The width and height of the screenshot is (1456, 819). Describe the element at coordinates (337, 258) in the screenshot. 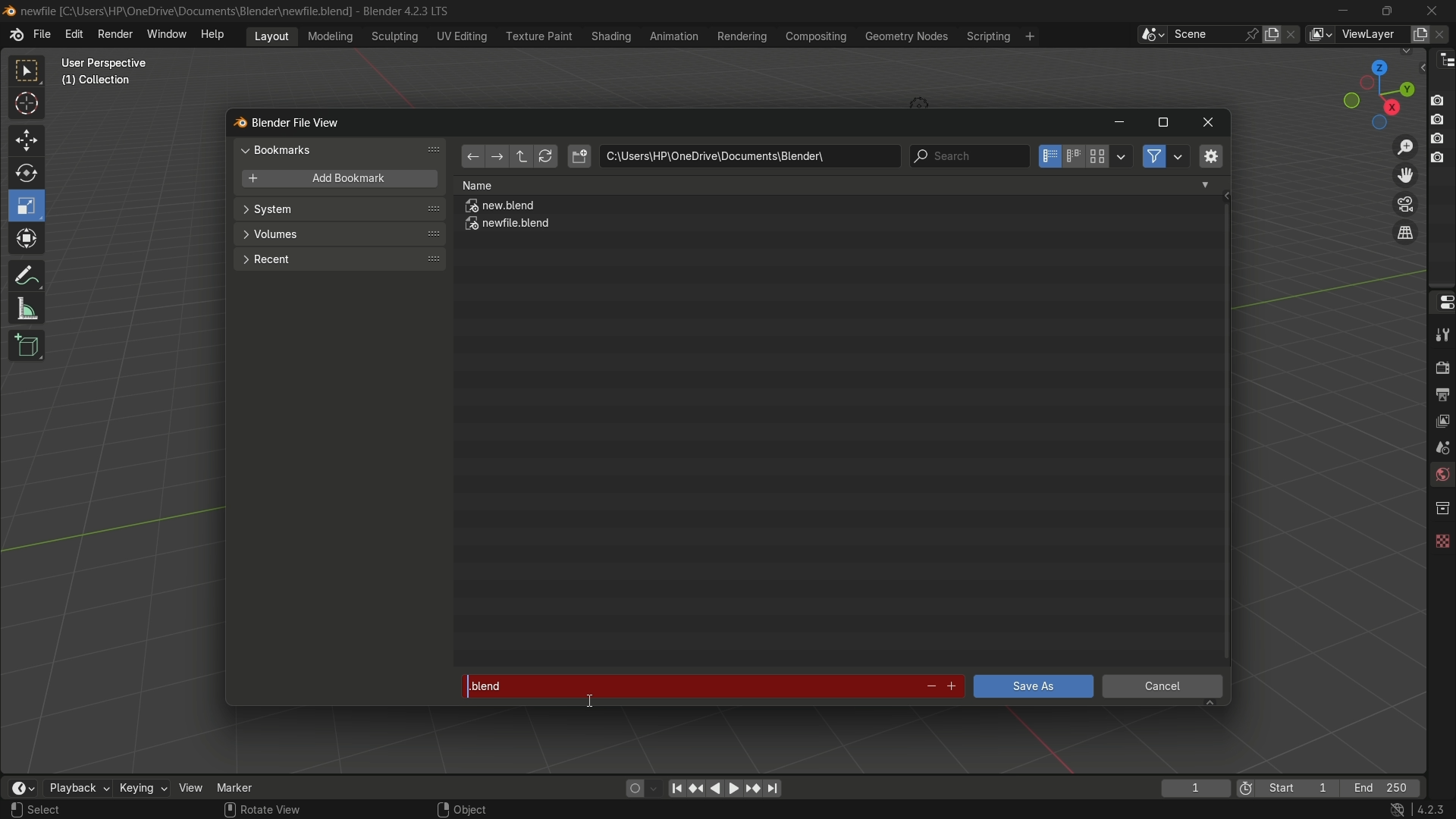

I see `recent` at that location.